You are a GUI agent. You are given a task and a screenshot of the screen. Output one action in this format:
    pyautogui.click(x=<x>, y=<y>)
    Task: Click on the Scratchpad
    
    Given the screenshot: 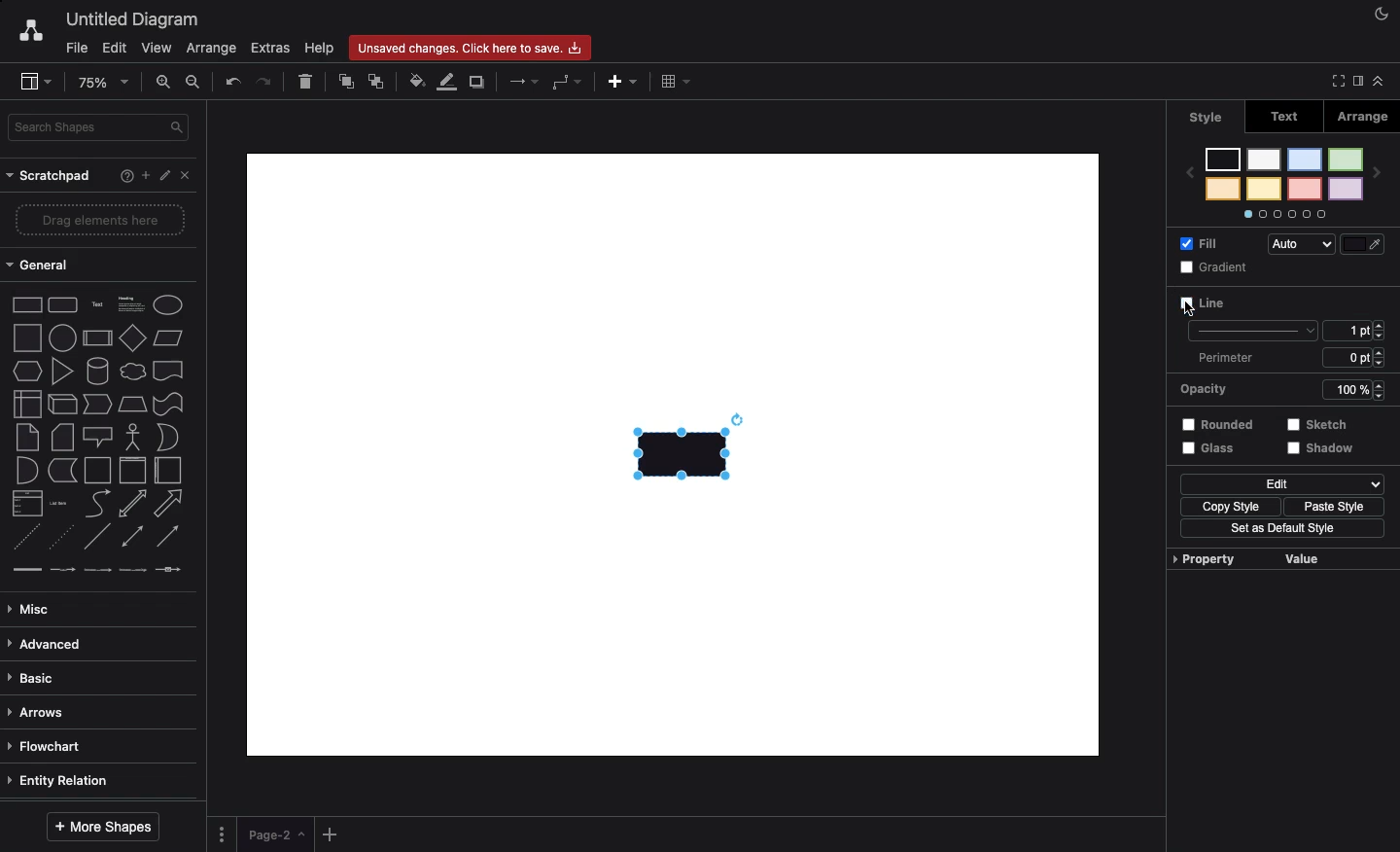 What is the action you would take?
    pyautogui.click(x=48, y=179)
    